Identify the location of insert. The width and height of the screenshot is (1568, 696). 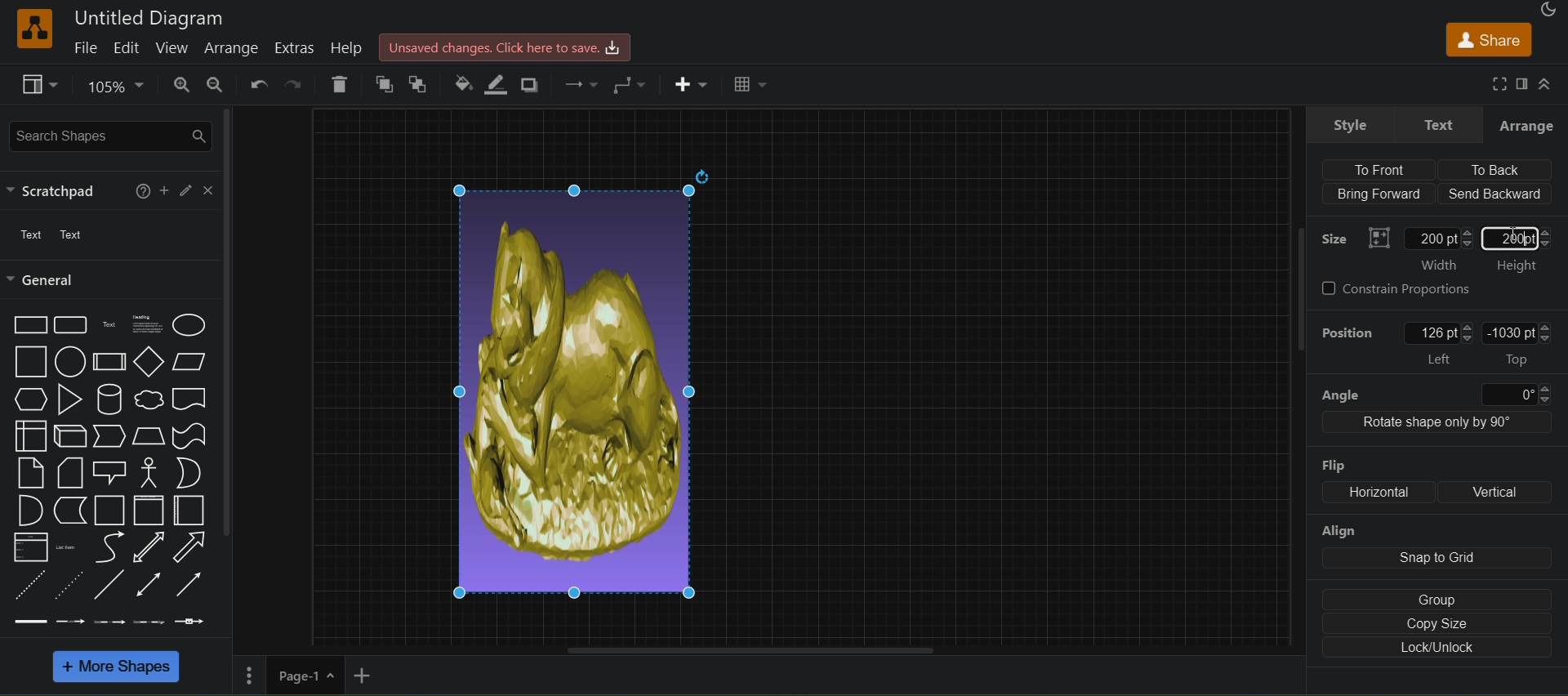
(692, 87).